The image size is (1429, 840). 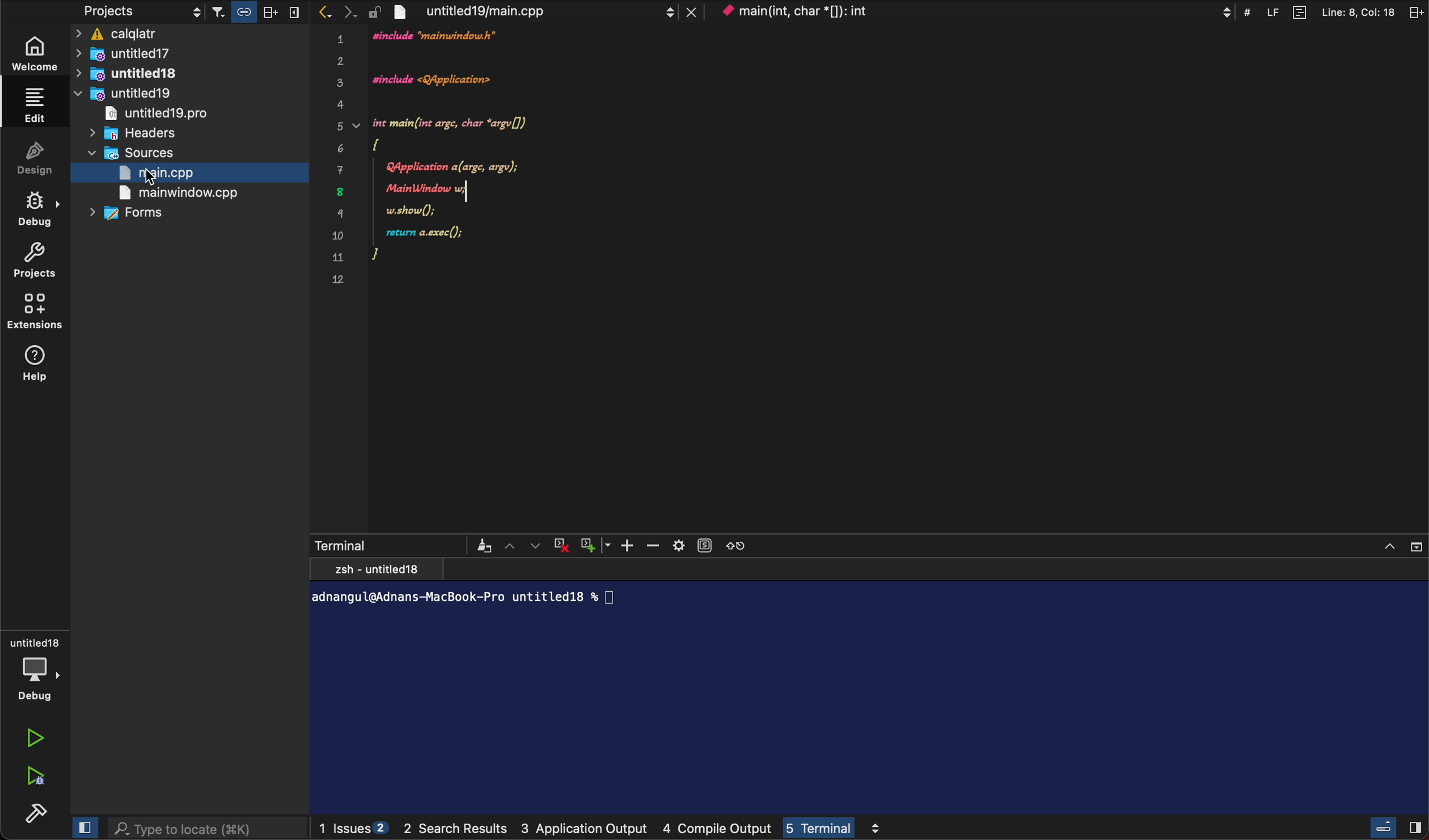 I want to click on extensions, so click(x=40, y=313).